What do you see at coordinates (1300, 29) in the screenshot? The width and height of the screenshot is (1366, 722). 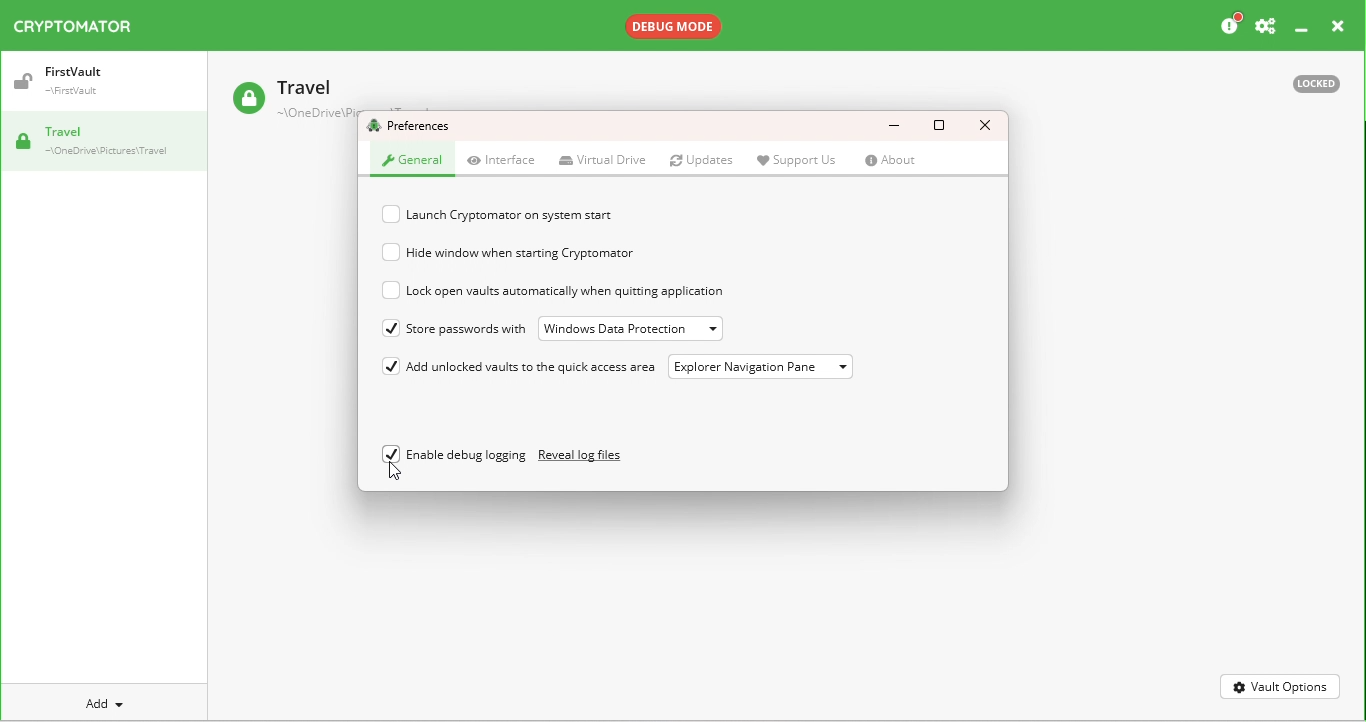 I see `Minimize` at bounding box center [1300, 29].